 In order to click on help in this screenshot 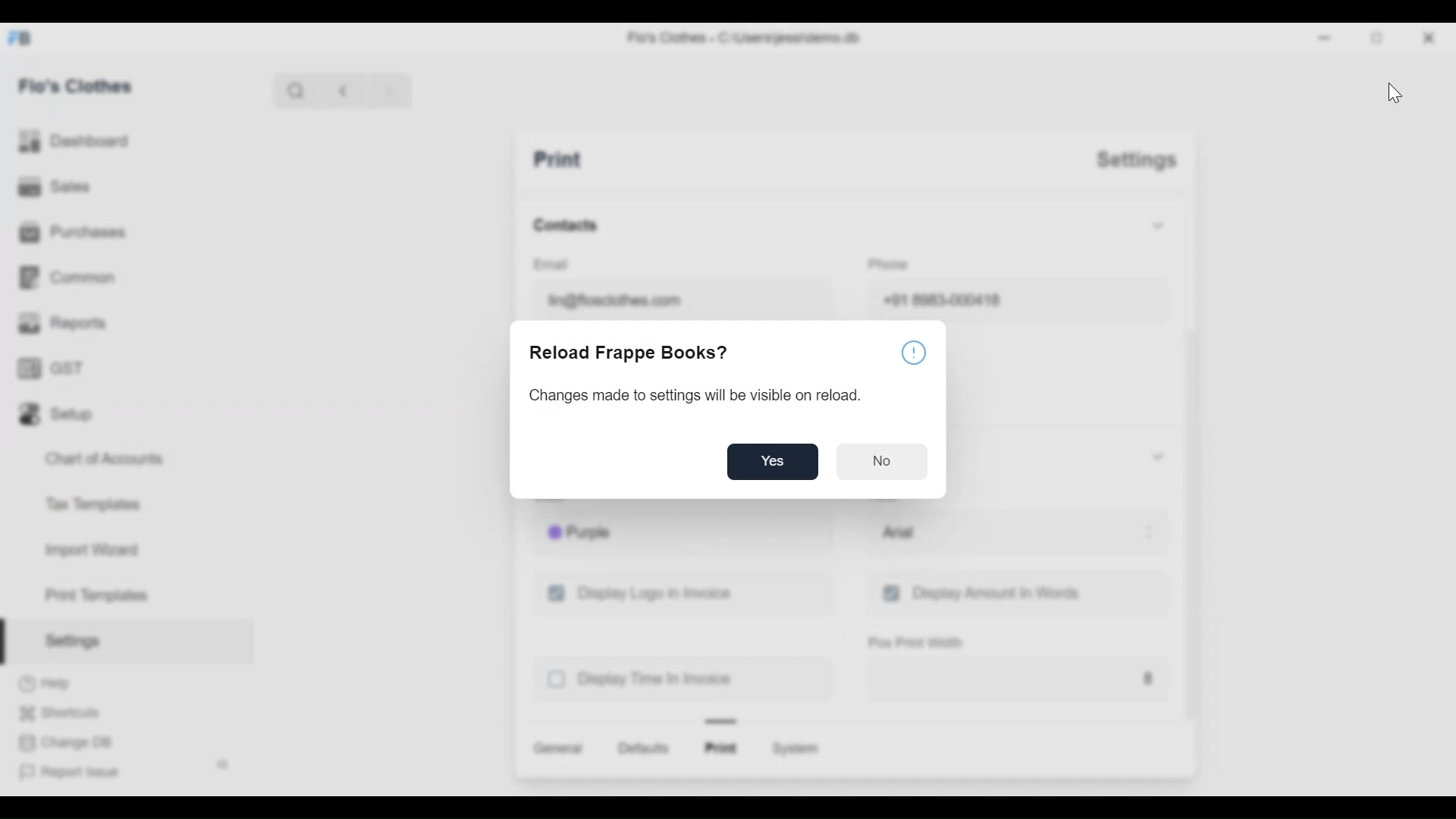, I will do `click(913, 354)`.